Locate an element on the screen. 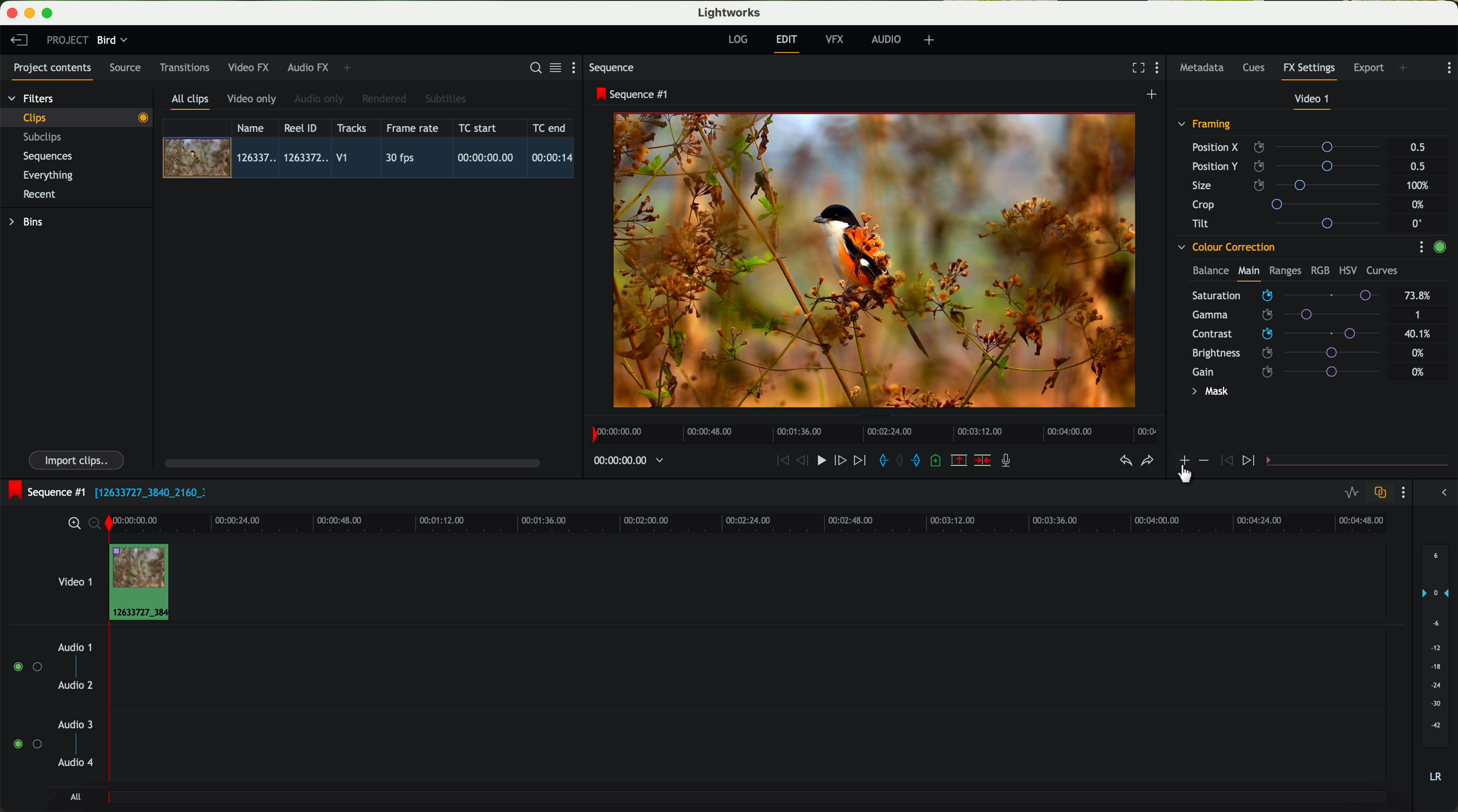 The image size is (1458, 812). everything is located at coordinates (49, 175).